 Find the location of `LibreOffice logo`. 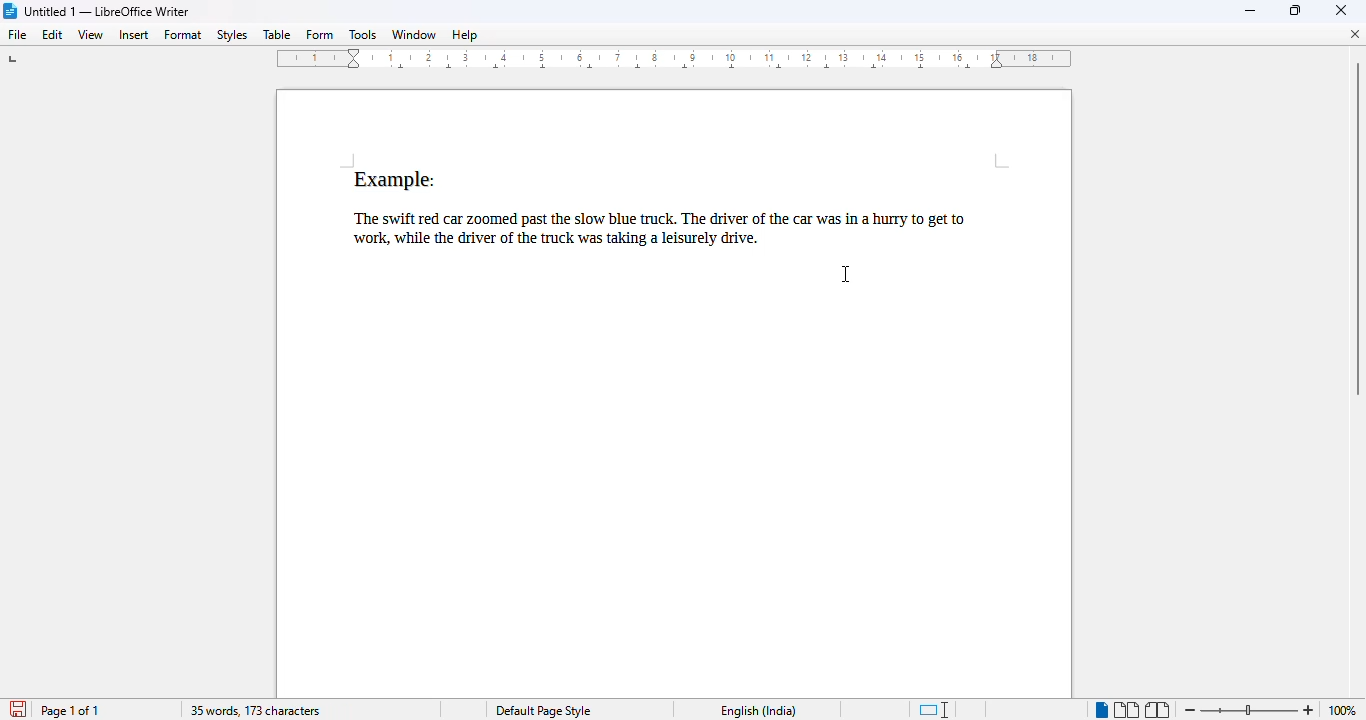

LibreOffice logo is located at coordinates (9, 11).